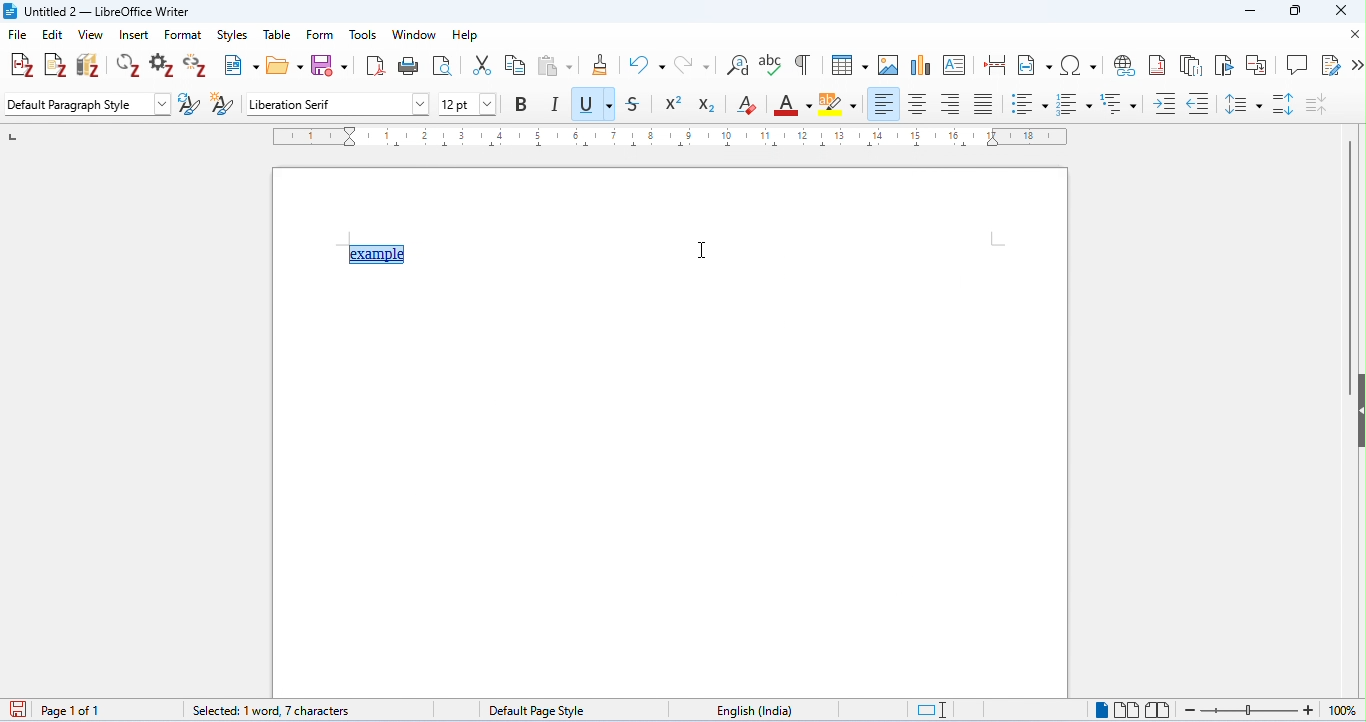 The width and height of the screenshot is (1366, 722). What do you see at coordinates (98, 12) in the screenshot?
I see `title` at bounding box center [98, 12].